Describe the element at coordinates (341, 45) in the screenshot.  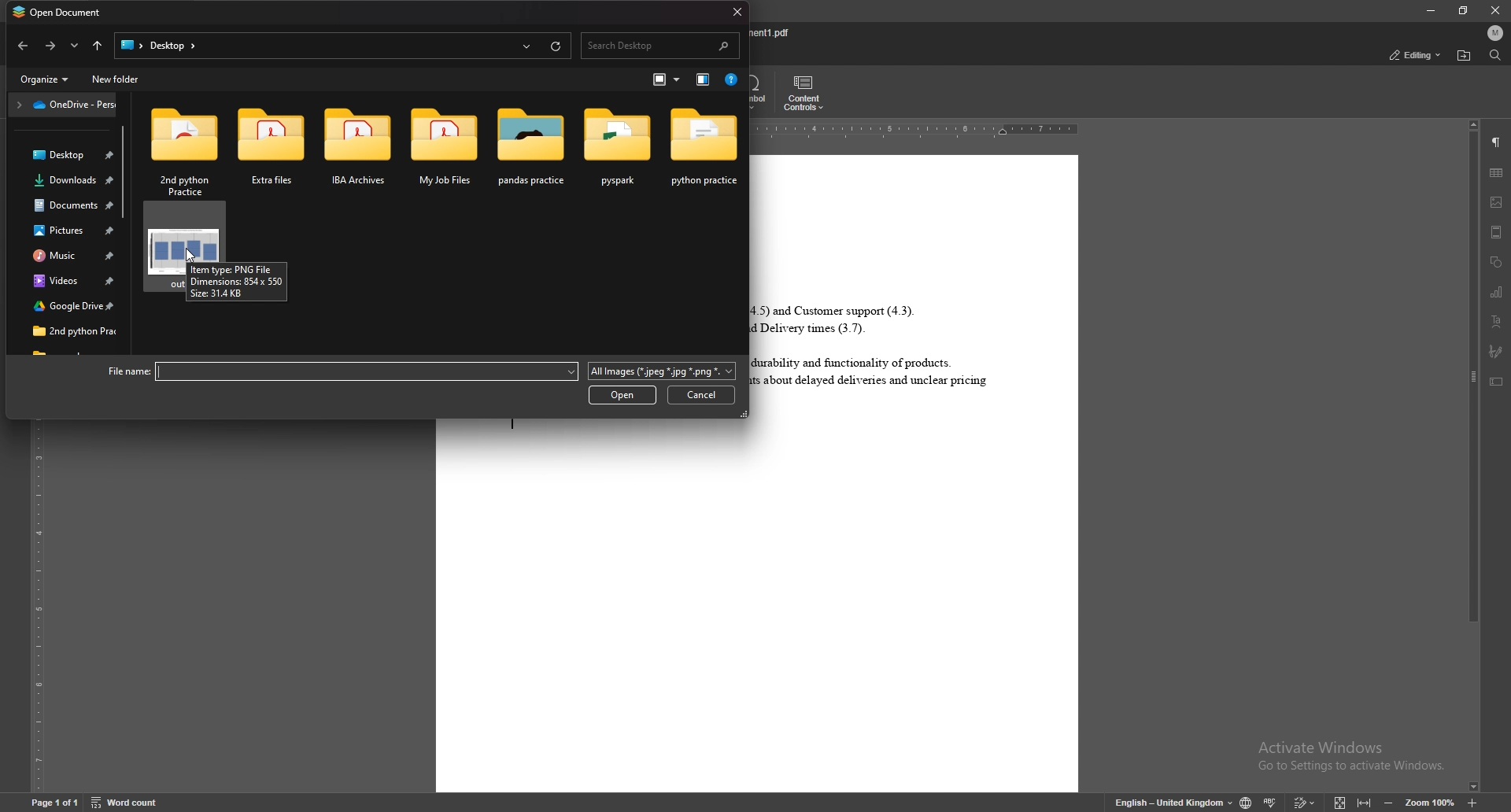
I see `file path` at that location.